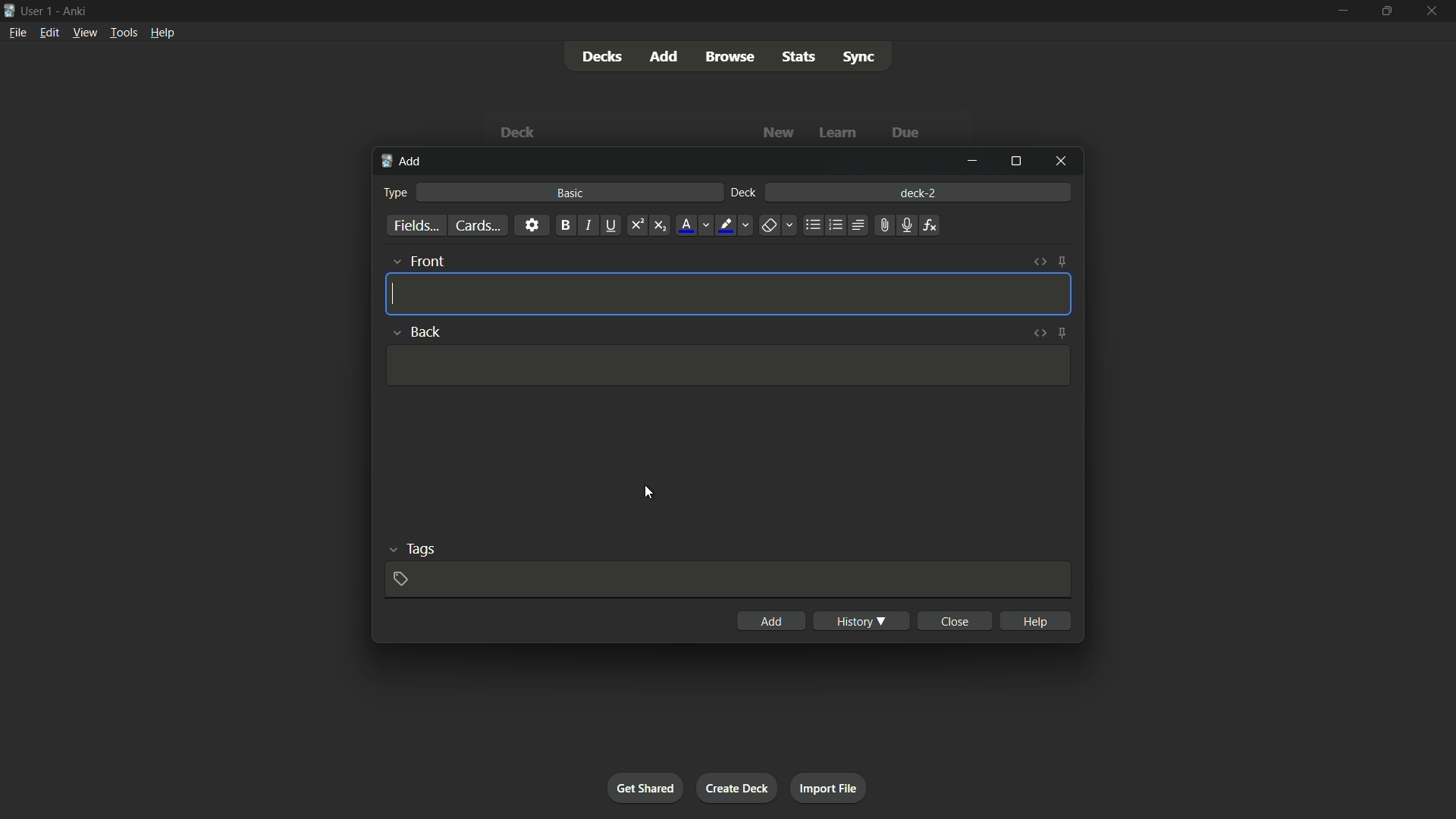 Image resolution: width=1456 pixels, height=819 pixels. What do you see at coordinates (16, 33) in the screenshot?
I see `file menu` at bounding box center [16, 33].